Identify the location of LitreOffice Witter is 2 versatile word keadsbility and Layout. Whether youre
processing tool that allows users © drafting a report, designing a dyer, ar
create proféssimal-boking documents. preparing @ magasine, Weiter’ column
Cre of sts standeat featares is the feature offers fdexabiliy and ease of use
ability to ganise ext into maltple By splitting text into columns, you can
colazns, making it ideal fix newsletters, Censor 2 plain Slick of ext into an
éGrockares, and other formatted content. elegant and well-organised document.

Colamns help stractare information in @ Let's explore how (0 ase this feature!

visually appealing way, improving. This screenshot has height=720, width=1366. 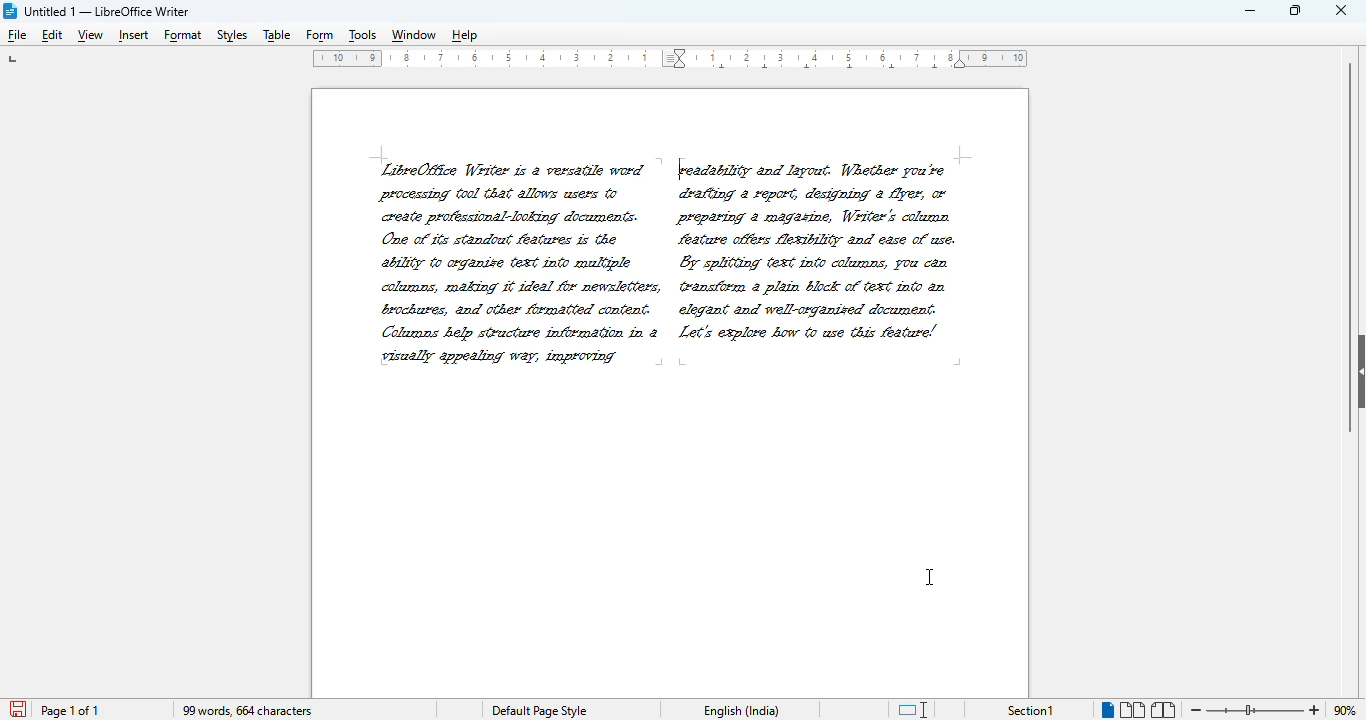
(662, 267).